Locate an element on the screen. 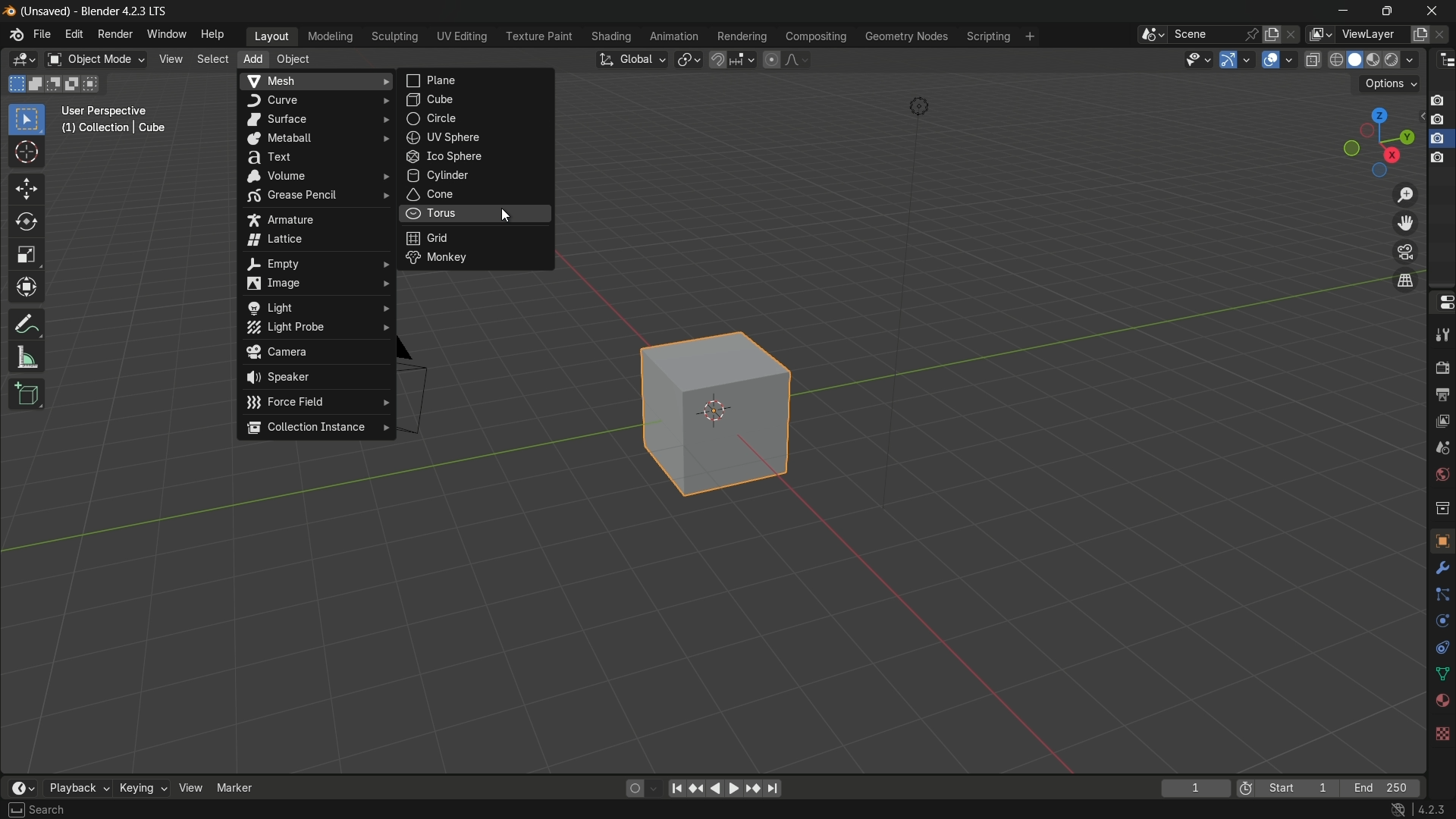  Start 1 is located at coordinates (1302, 789).